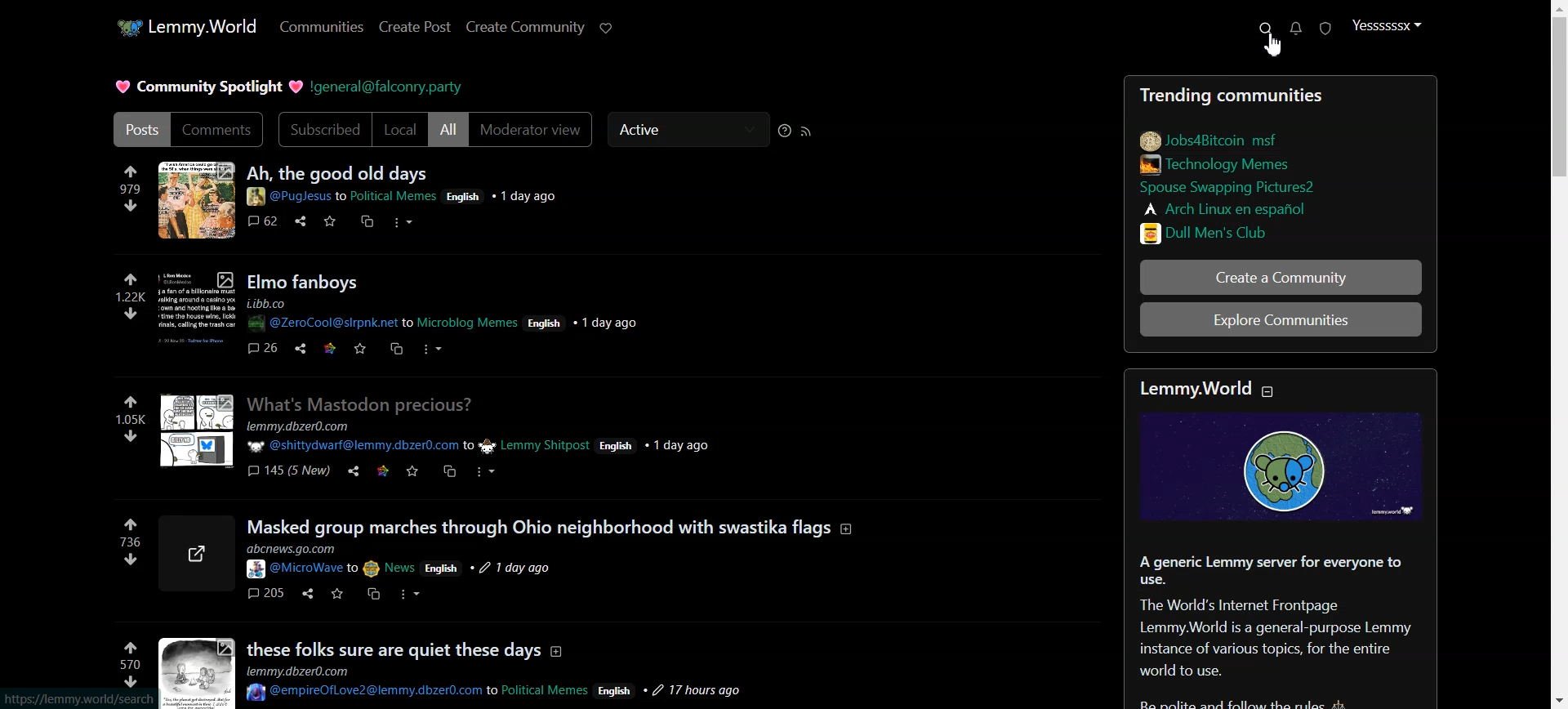 The width and height of the screenshot is (1568, 709). I want to click on numbers, so click(130, 540).